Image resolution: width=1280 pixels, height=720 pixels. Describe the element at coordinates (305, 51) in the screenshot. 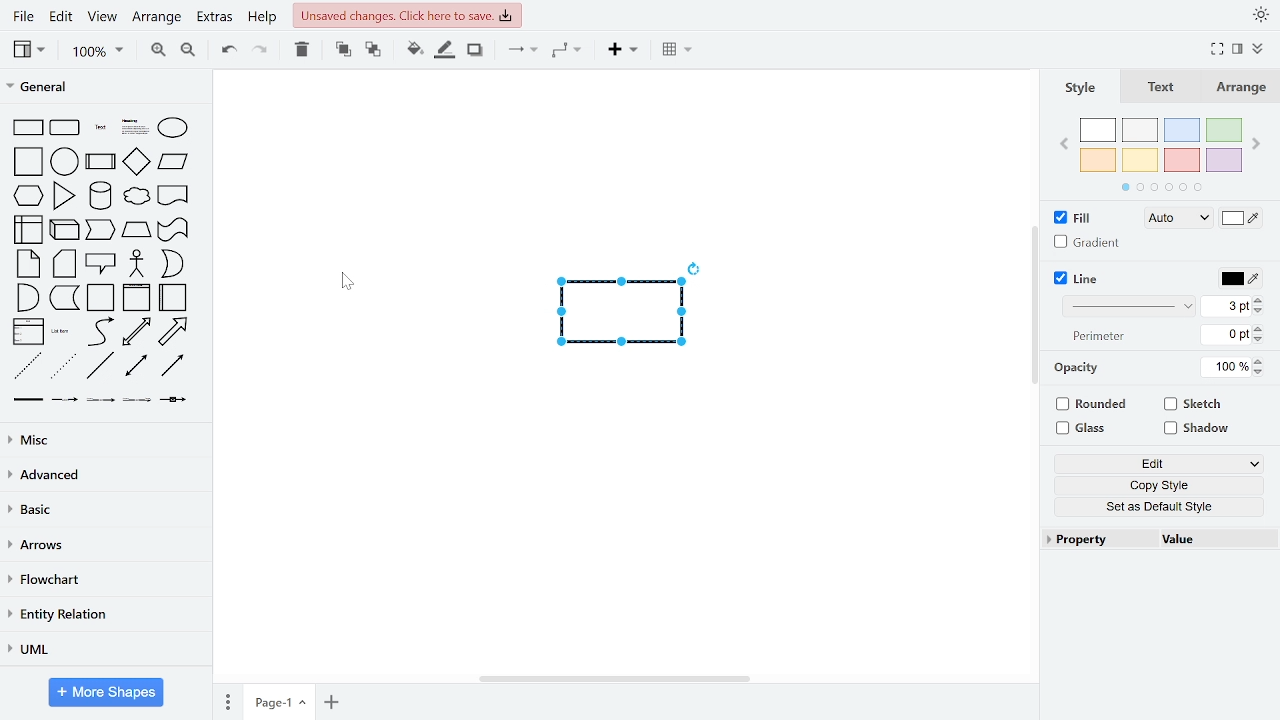

I see `delete` at that location.